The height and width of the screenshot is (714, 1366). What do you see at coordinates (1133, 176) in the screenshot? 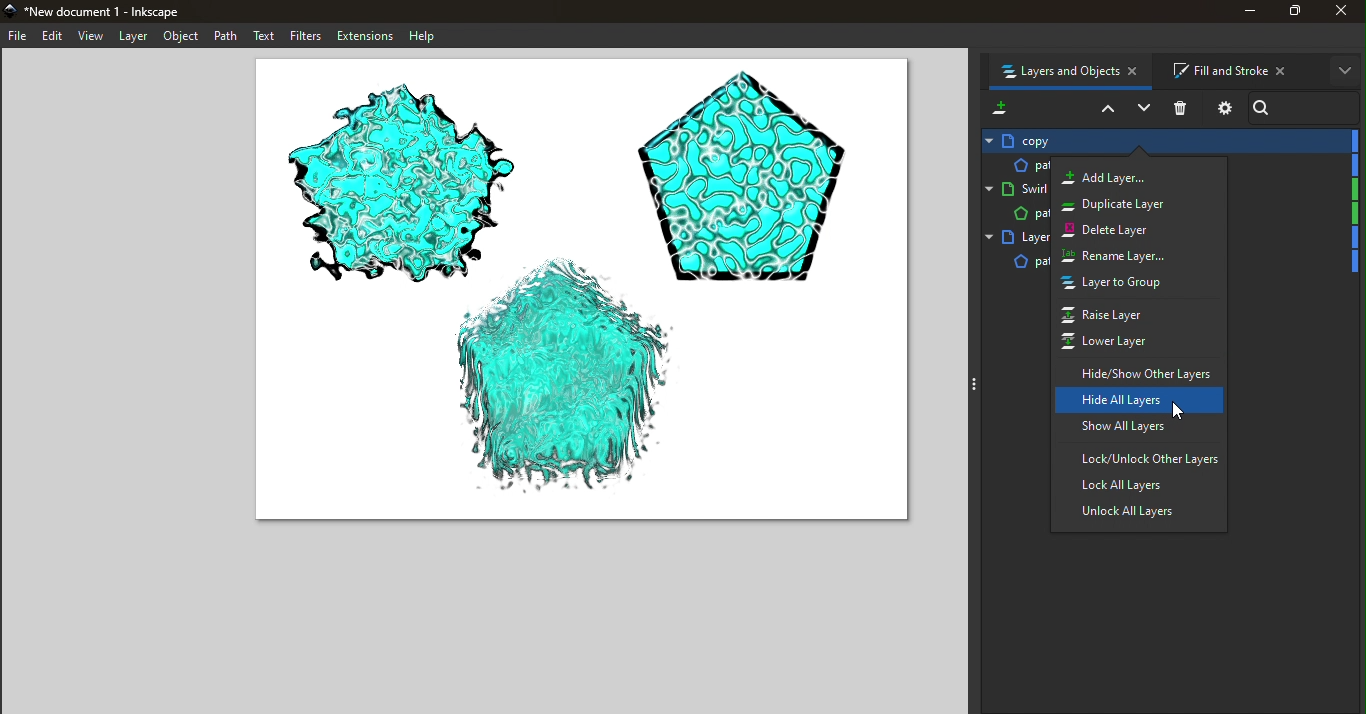
I see `Add layer` at bounding box center [1133, 176].